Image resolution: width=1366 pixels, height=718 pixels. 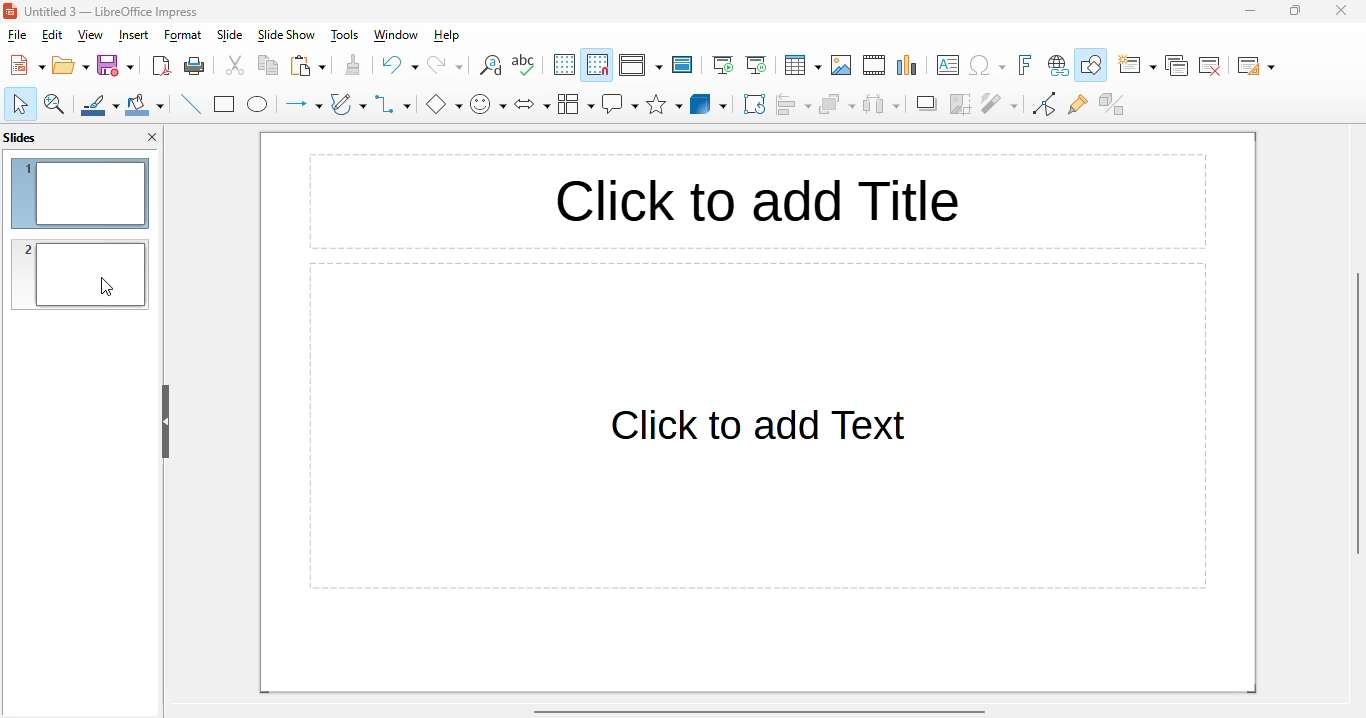 What do you see at coordinates (100, 105) in the screenshot?
I see `line color` at bounding box center [100, 105].